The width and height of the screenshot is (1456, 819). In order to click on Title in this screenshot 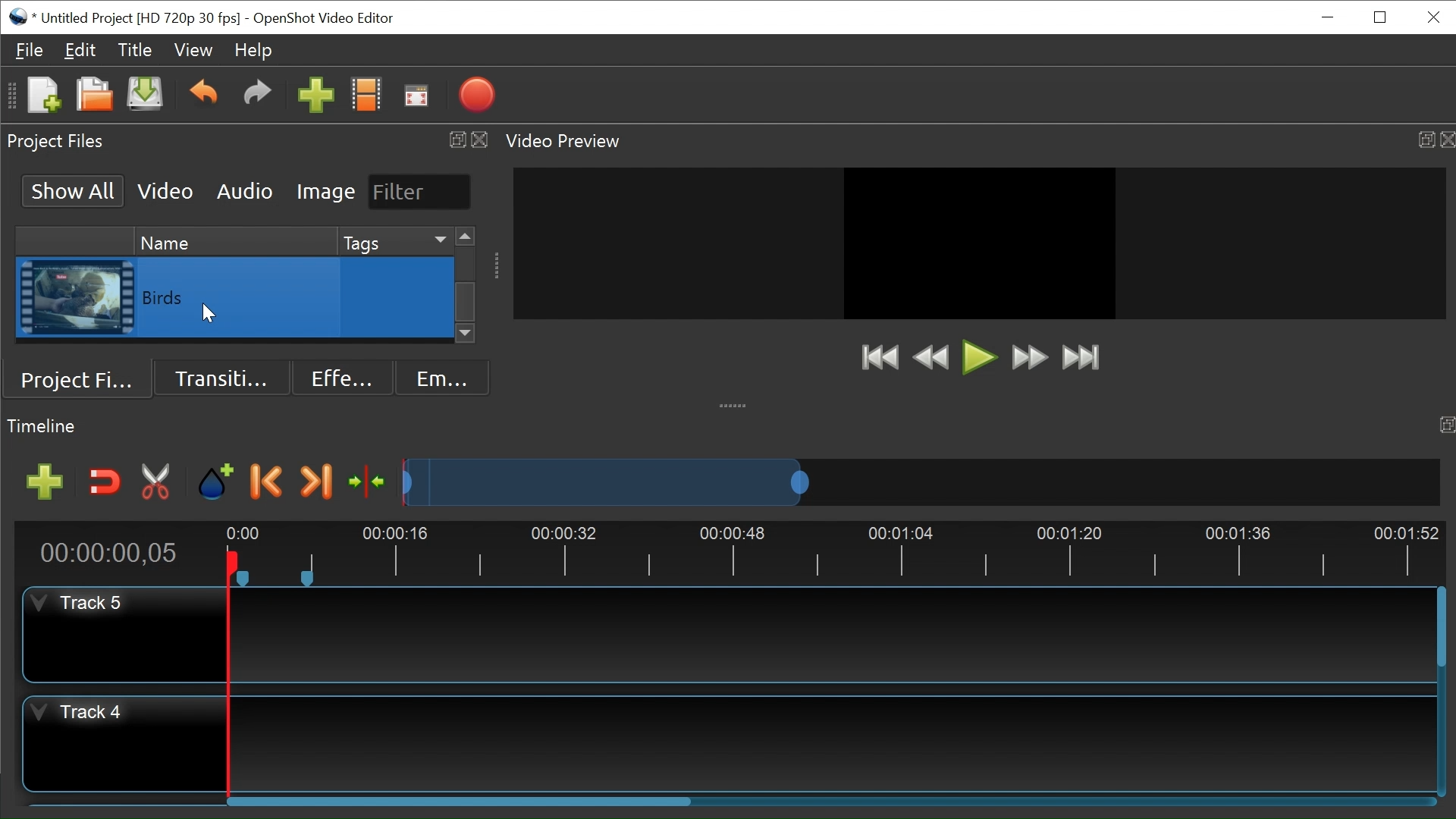, I will do `click(138, 52)`.